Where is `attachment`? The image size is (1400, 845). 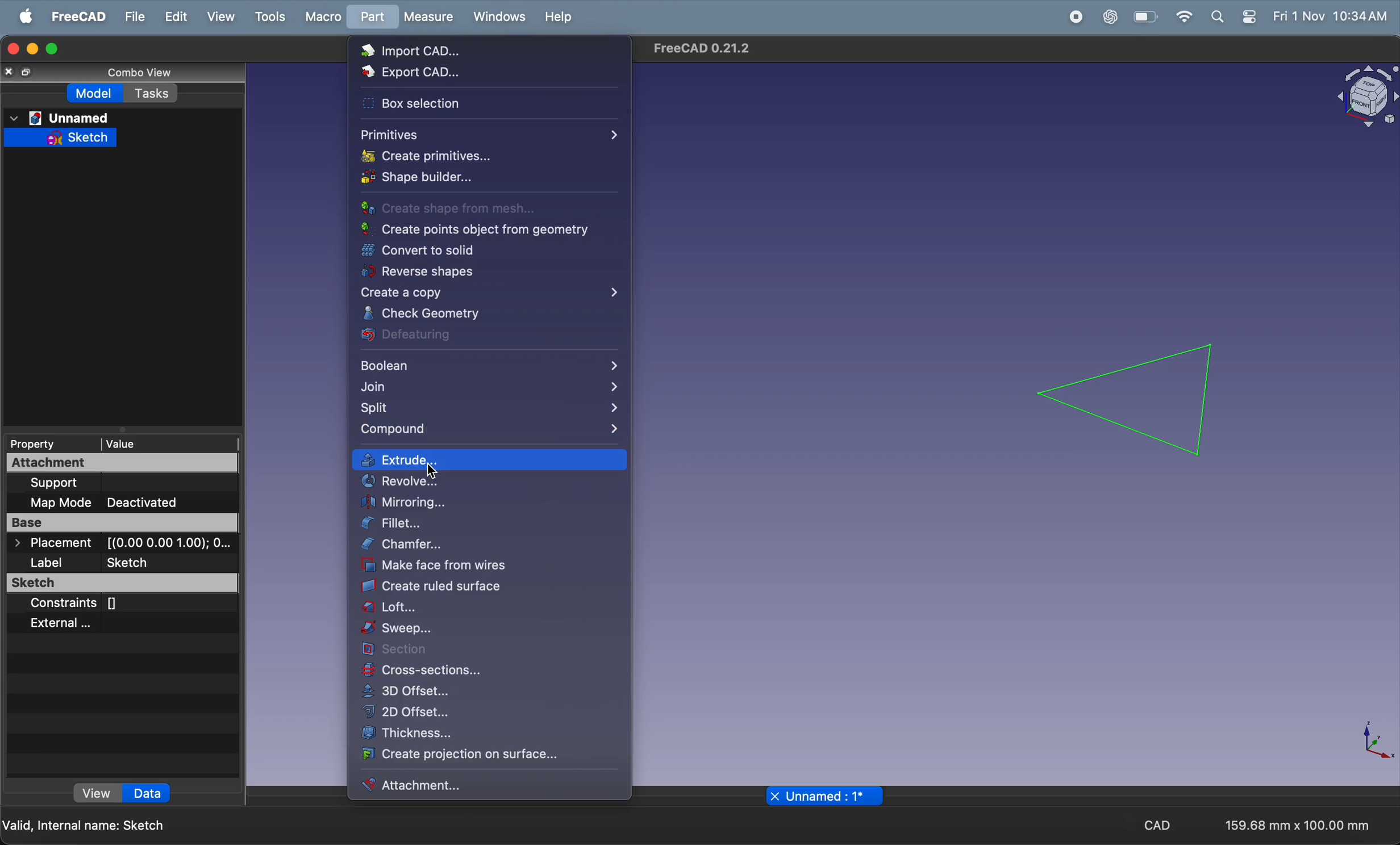 attachment is located at coordinates (473, 784).